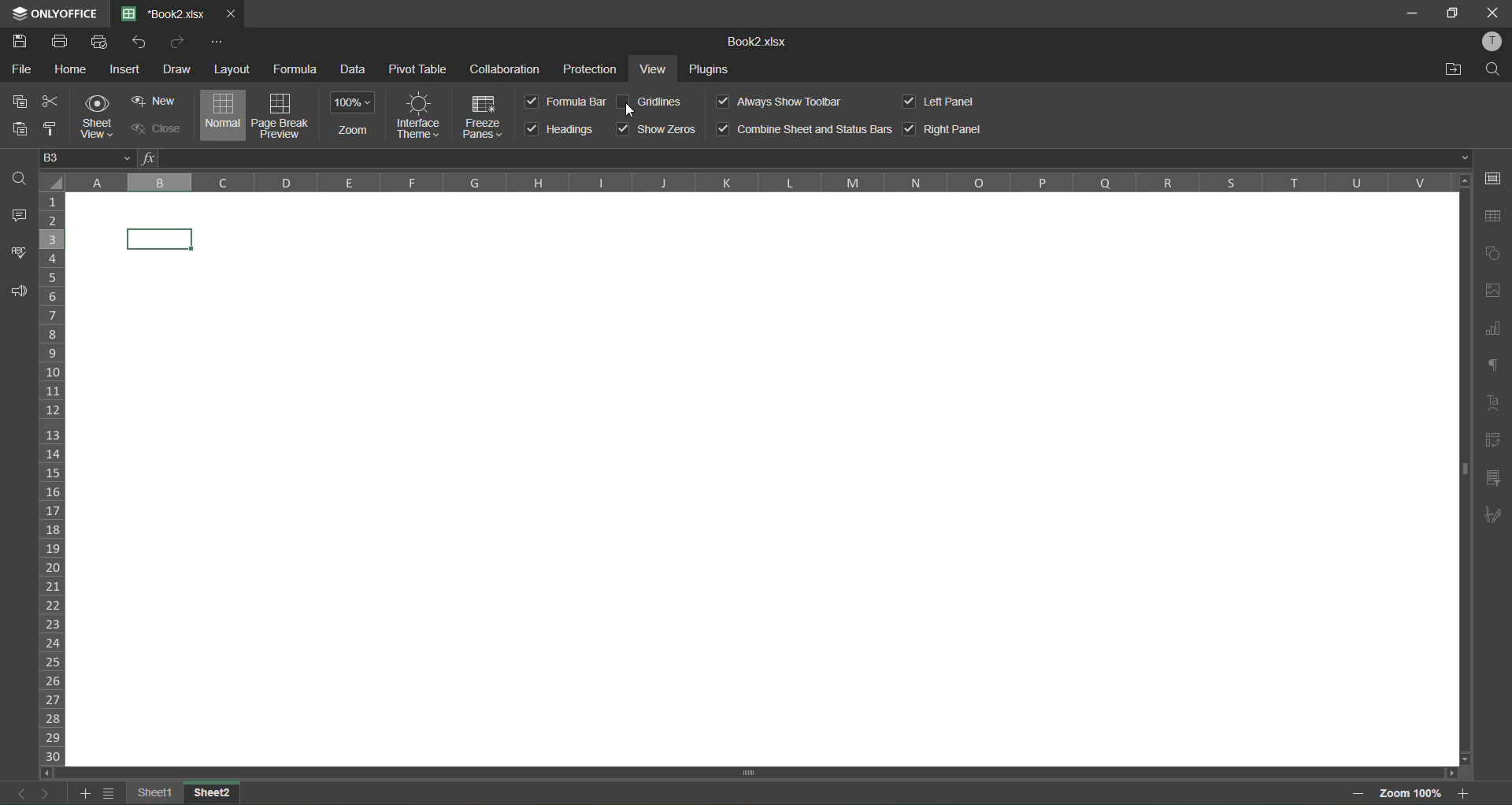 This screenshot has height=805, width=1512. Describe the element at coordinates (1464, 472) in the screenshot. I see `scrollbar` at that location.